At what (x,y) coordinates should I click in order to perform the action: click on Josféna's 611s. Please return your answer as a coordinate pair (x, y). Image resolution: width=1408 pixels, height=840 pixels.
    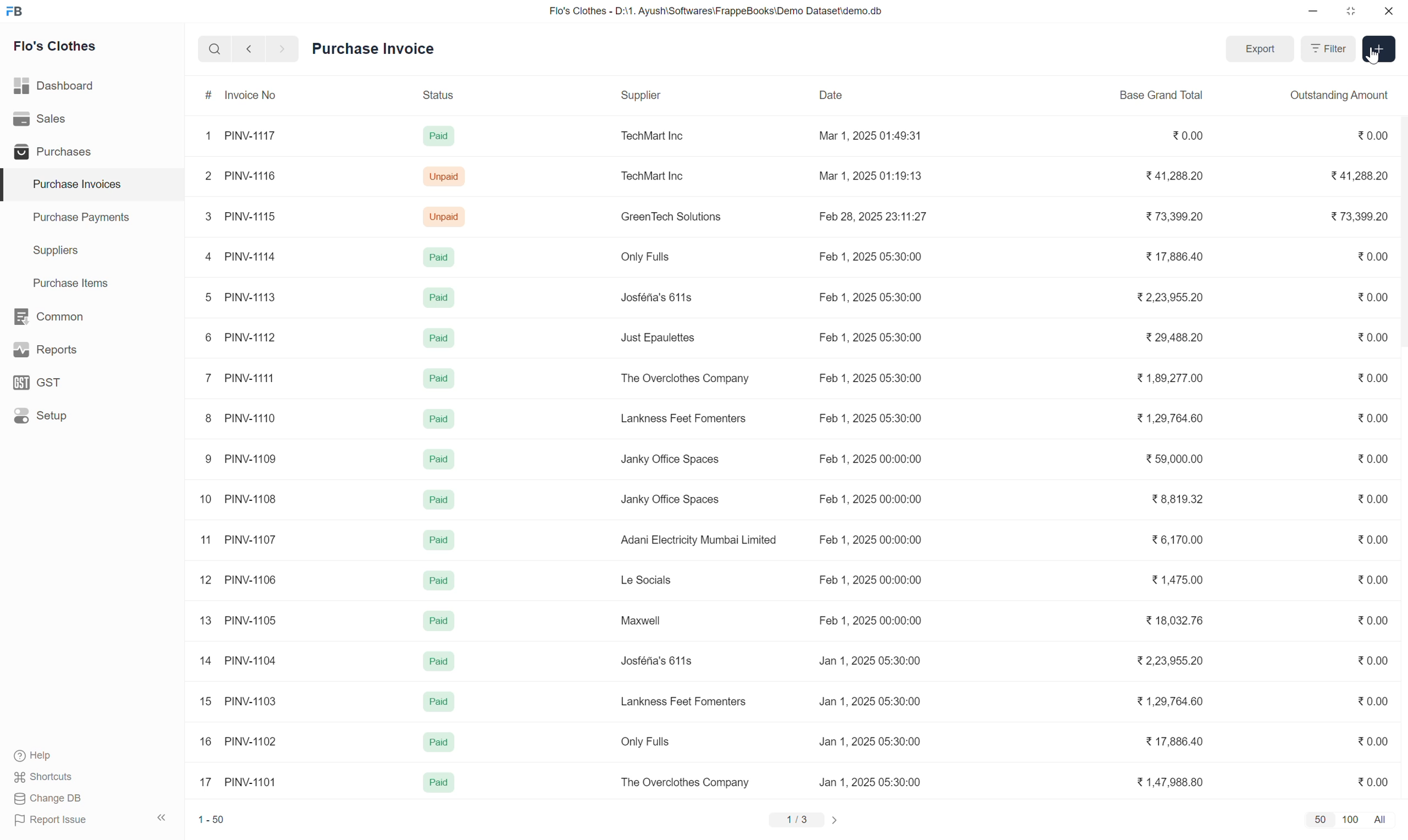
    Looking at the image, I should click on (658, 297).